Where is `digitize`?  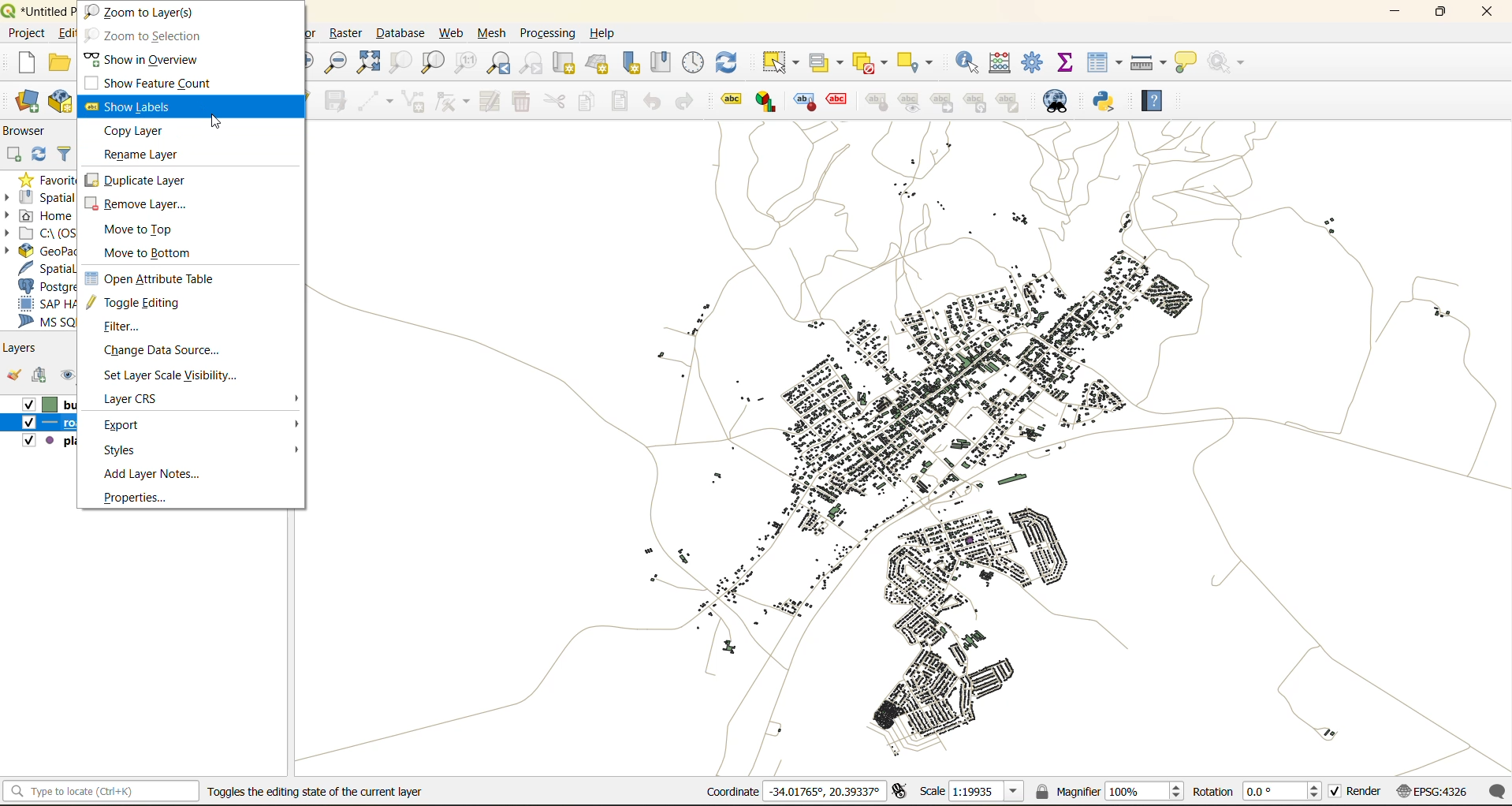 digitize is located at coordinates (374, 99).